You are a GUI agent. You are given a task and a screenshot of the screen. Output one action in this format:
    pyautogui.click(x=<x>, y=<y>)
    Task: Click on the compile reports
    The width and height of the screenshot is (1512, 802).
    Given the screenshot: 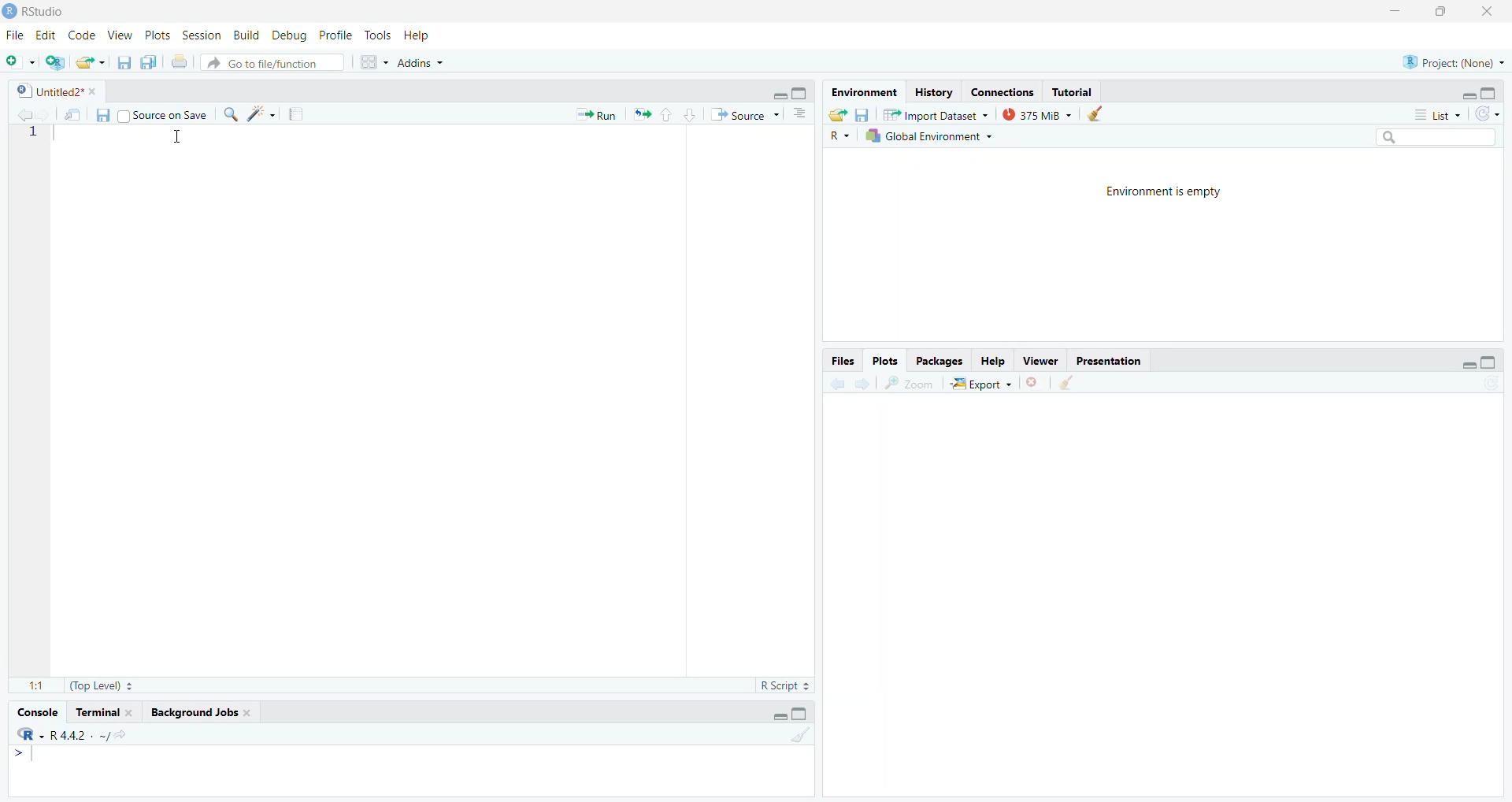 What is the action you would take?
    pyautogui.click(x=298, y=117)
    